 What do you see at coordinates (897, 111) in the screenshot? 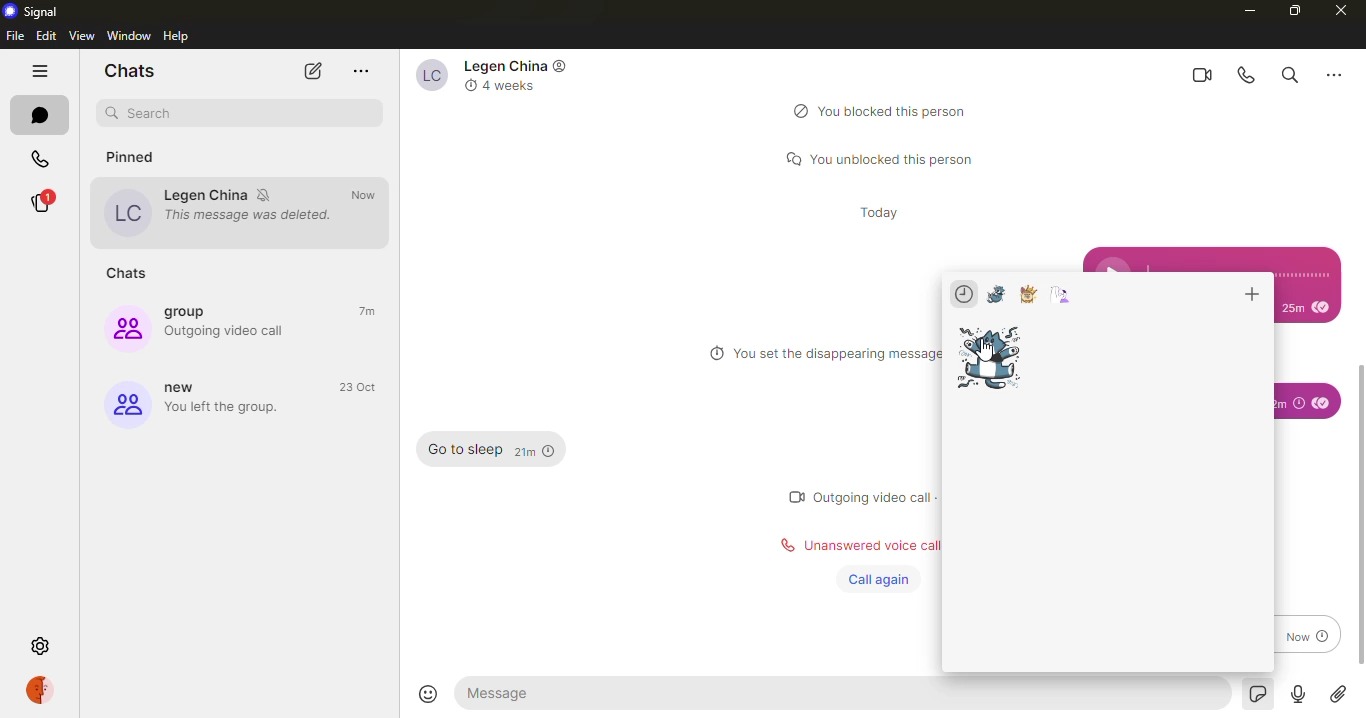
I see `You blocked this person` at bounding box center [897, 111].